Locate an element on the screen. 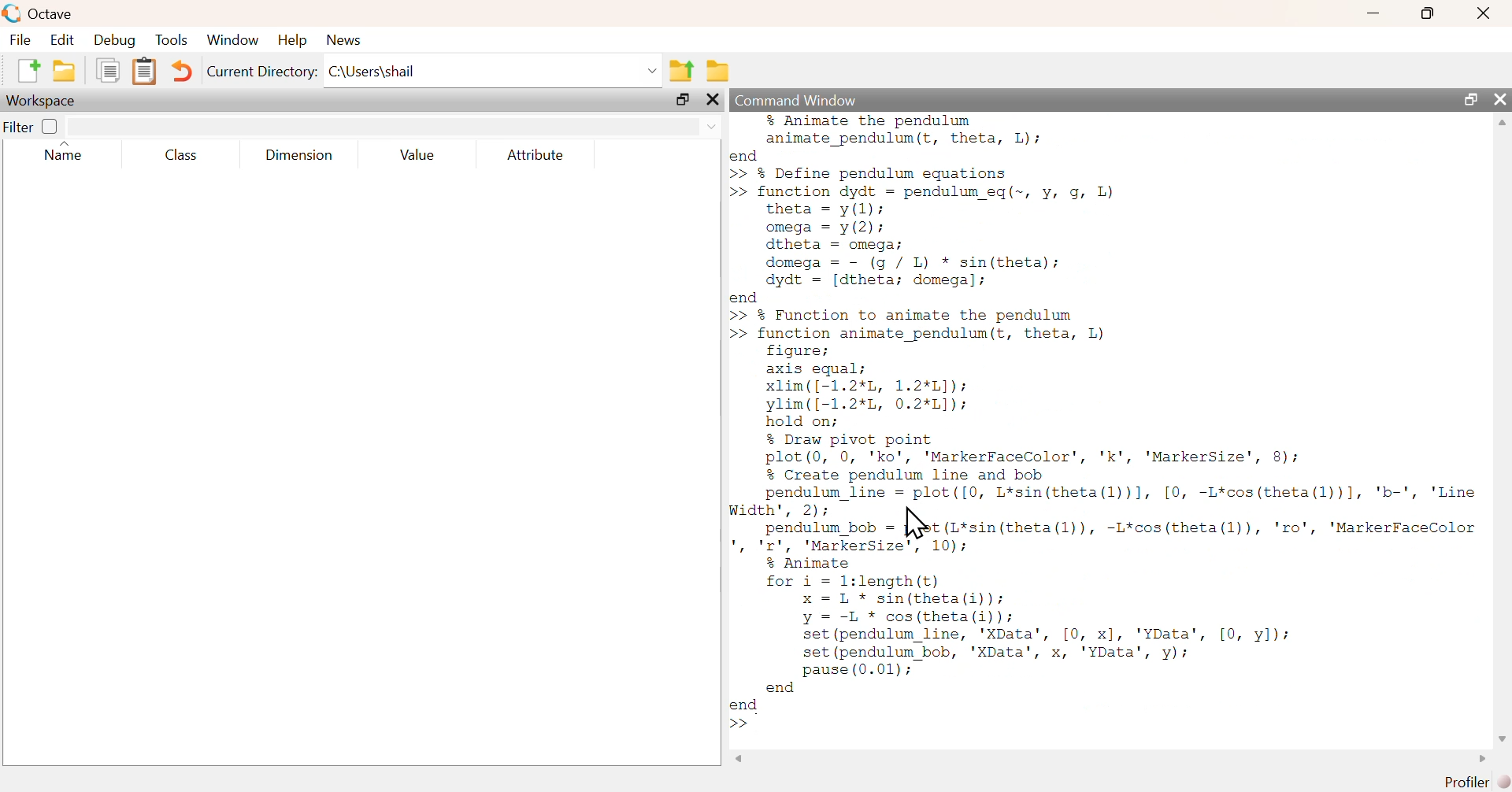 Image resolution: width=1512 pixels, height=792 pixels. Octave is located at coordinates (54, 13).